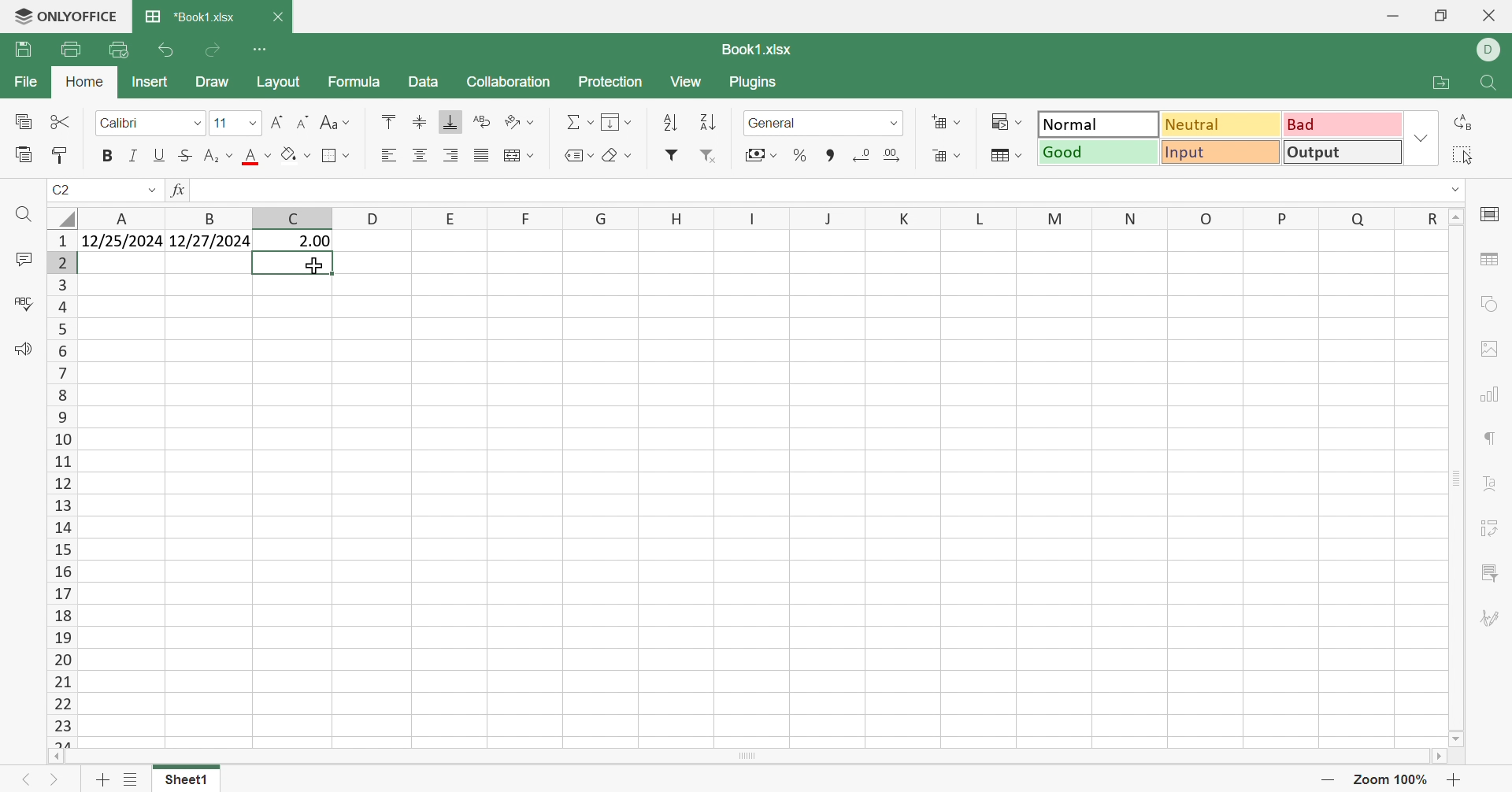 The height and width of the screenshot is (792, 1512). I want to click on Descending order, so click(706, 122).